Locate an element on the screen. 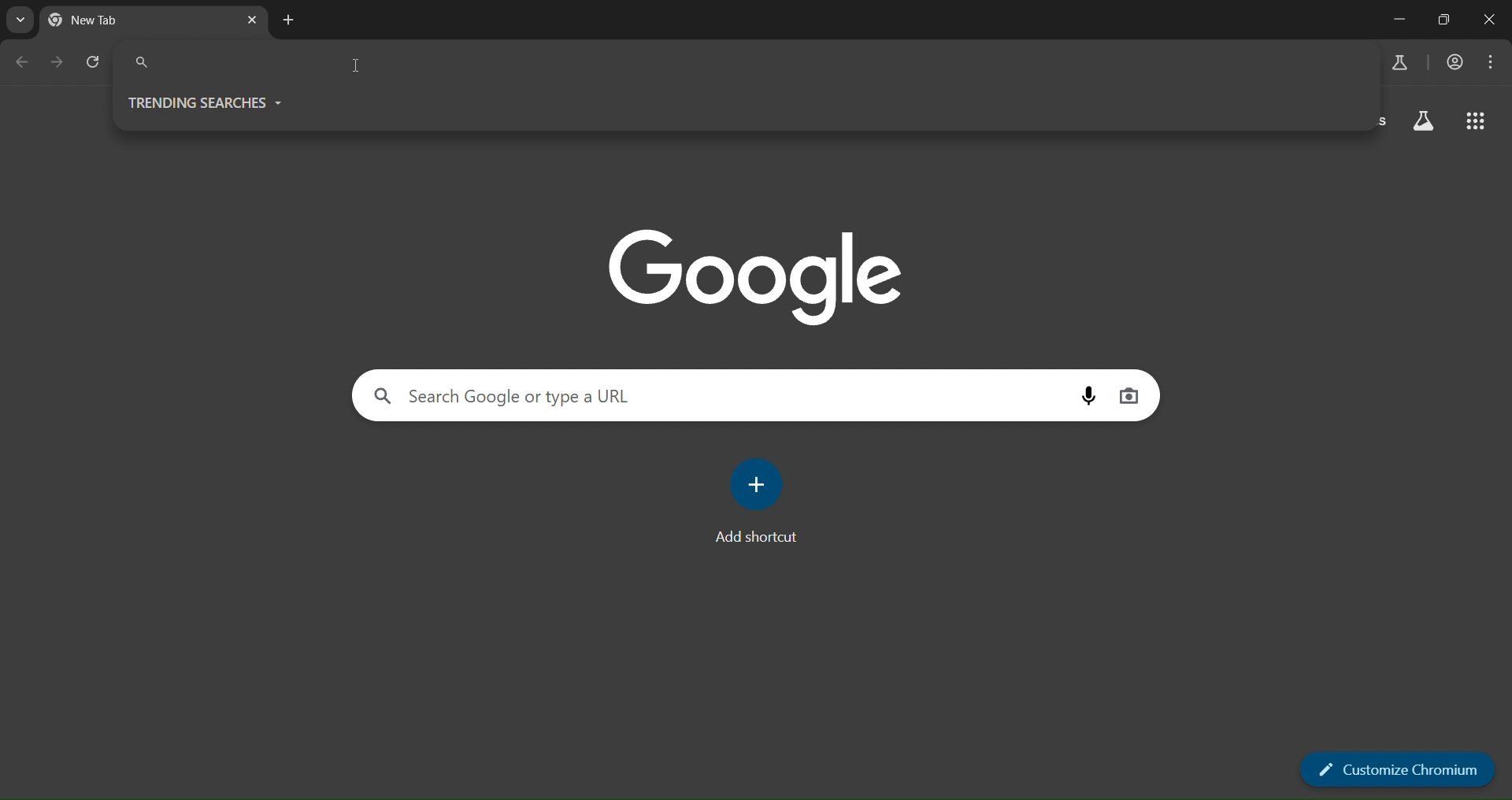 This screenshot has height=800, width=1512. Minimize is located at coordinates (1397, 20).